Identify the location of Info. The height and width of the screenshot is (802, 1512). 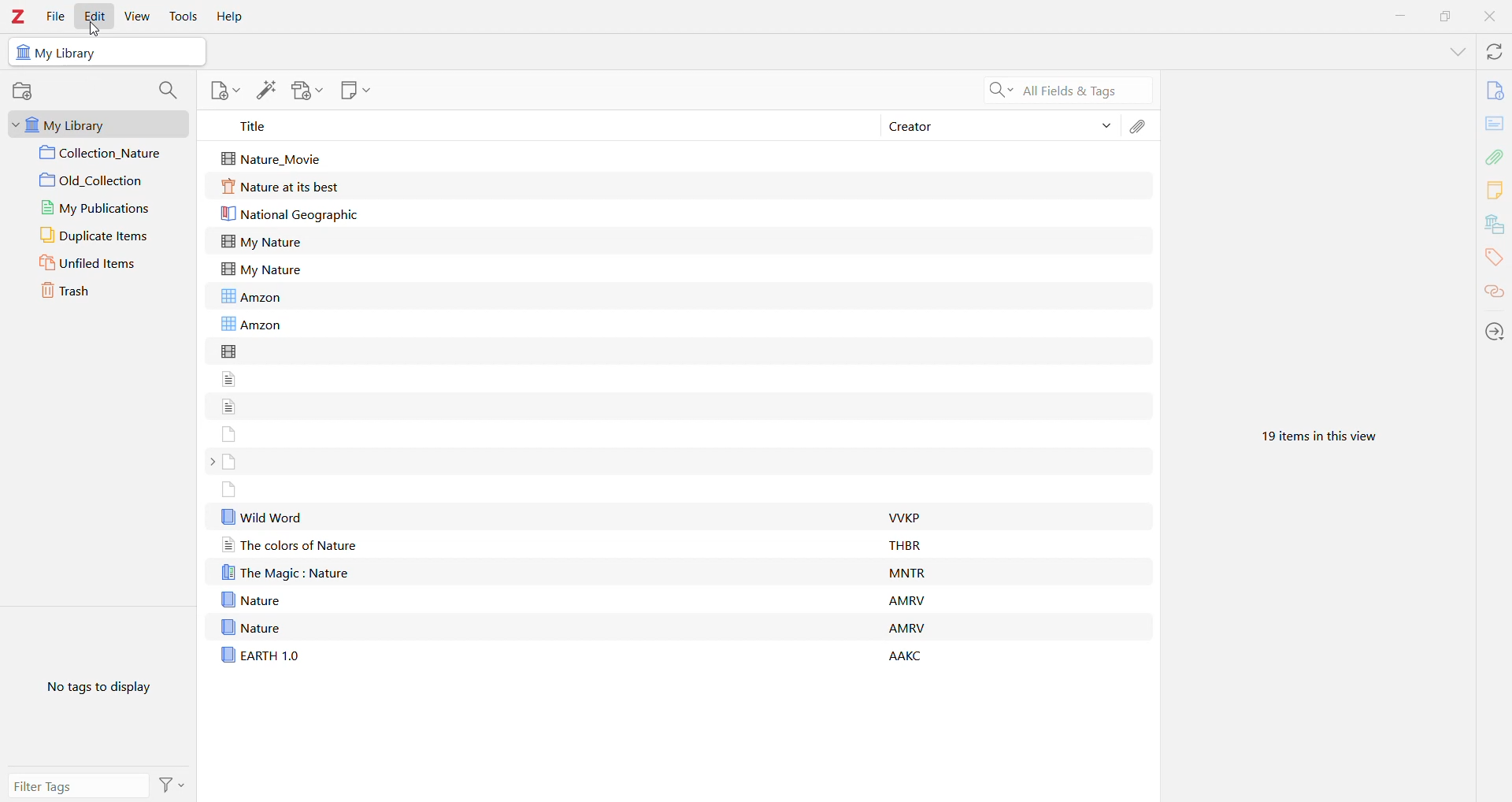
(1495, 90).